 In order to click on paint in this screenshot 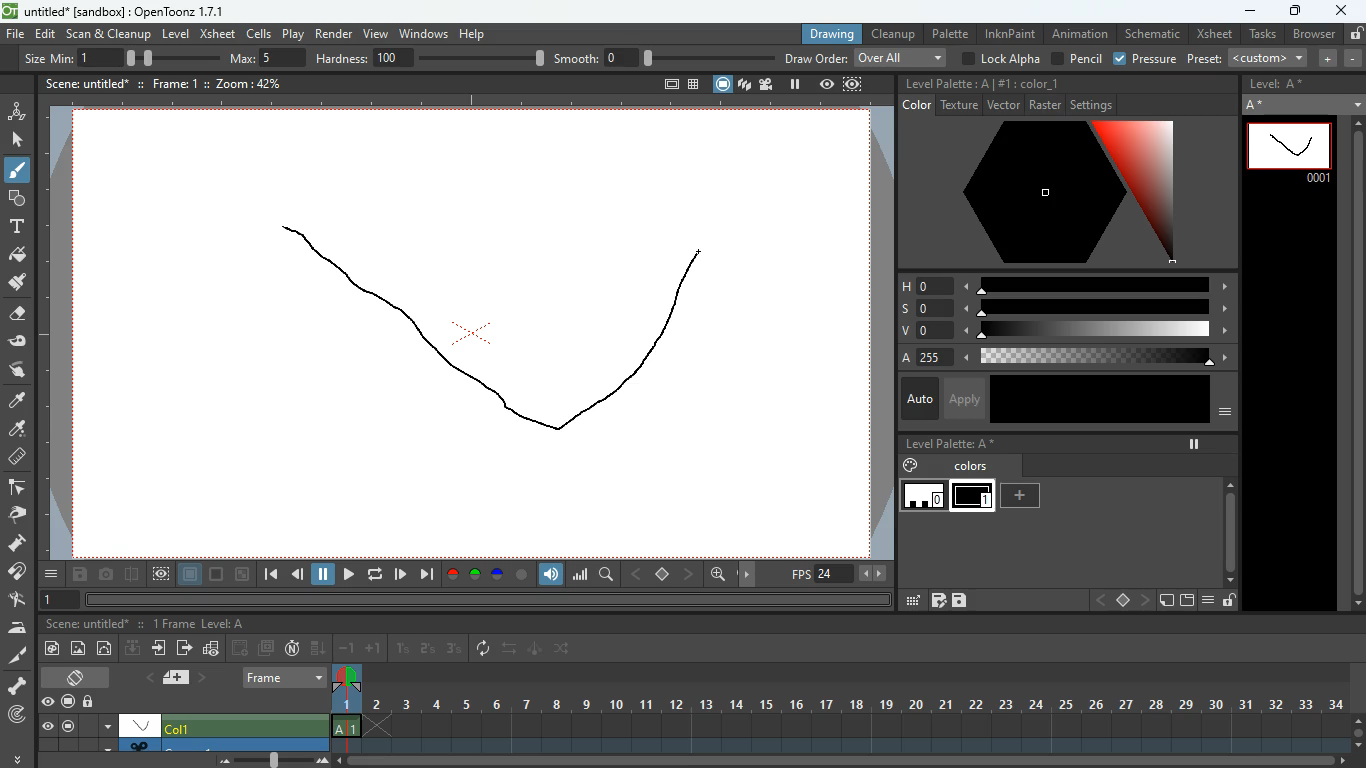, I will do `click(50, 650)`.